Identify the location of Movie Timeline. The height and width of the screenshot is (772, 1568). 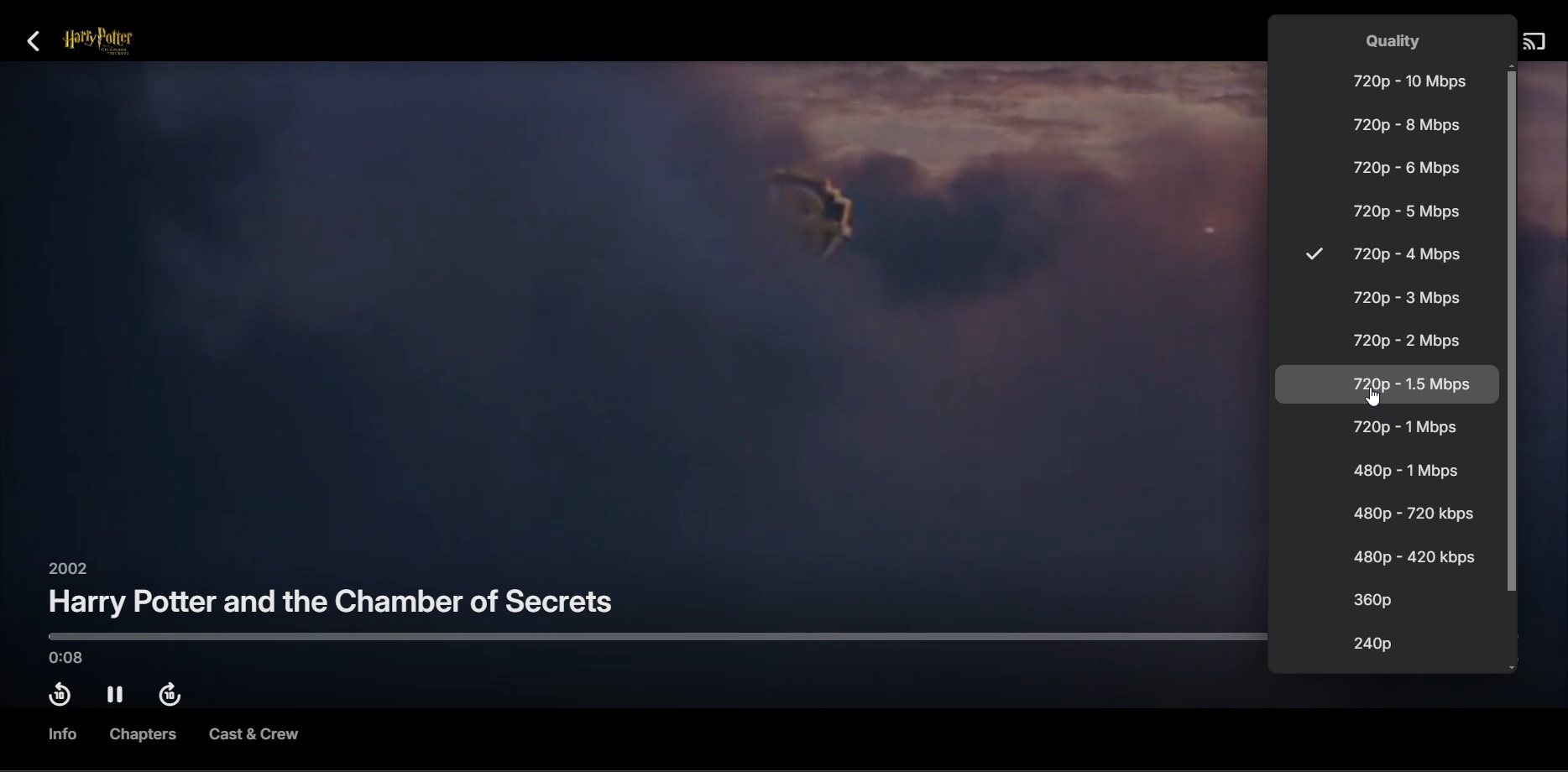
(639, 638).